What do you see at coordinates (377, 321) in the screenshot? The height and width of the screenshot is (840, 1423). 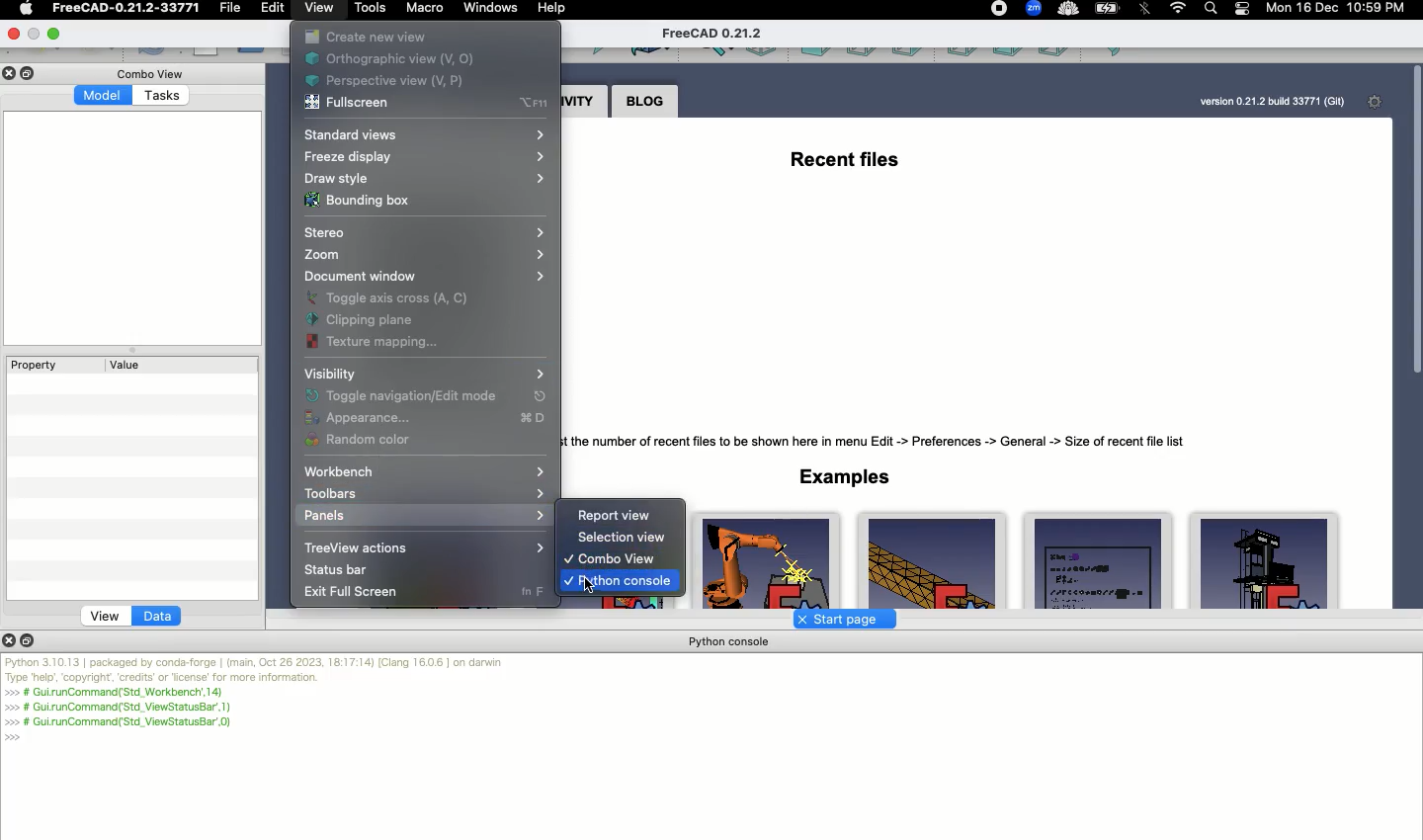 I see `Clipping pane` at bounding box center [377, 321].